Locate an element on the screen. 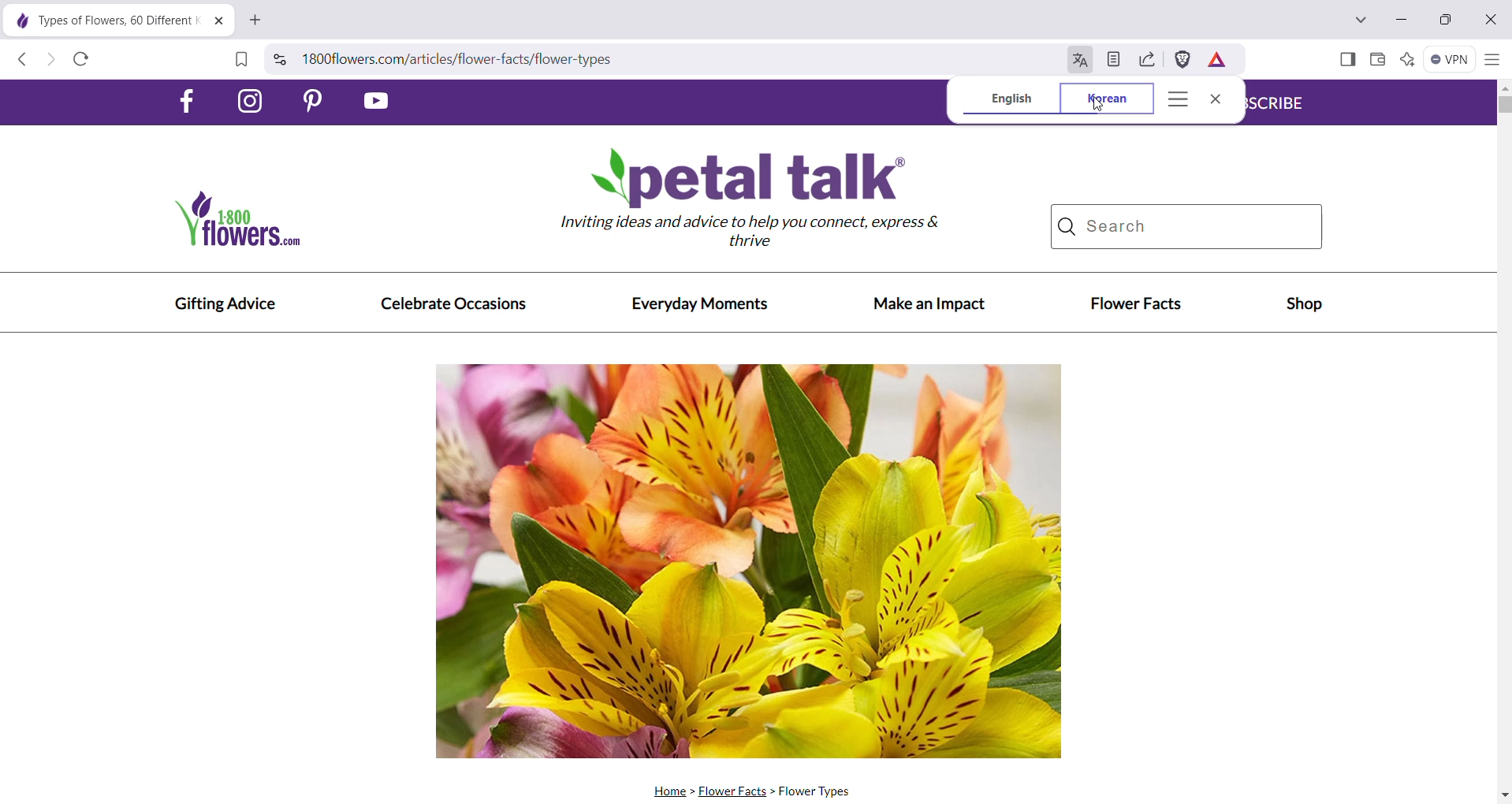 Image resolution: width=1512 pixels, height=804 pixels. Vertical Scroll Bar is located at coordinates (1503, 442).